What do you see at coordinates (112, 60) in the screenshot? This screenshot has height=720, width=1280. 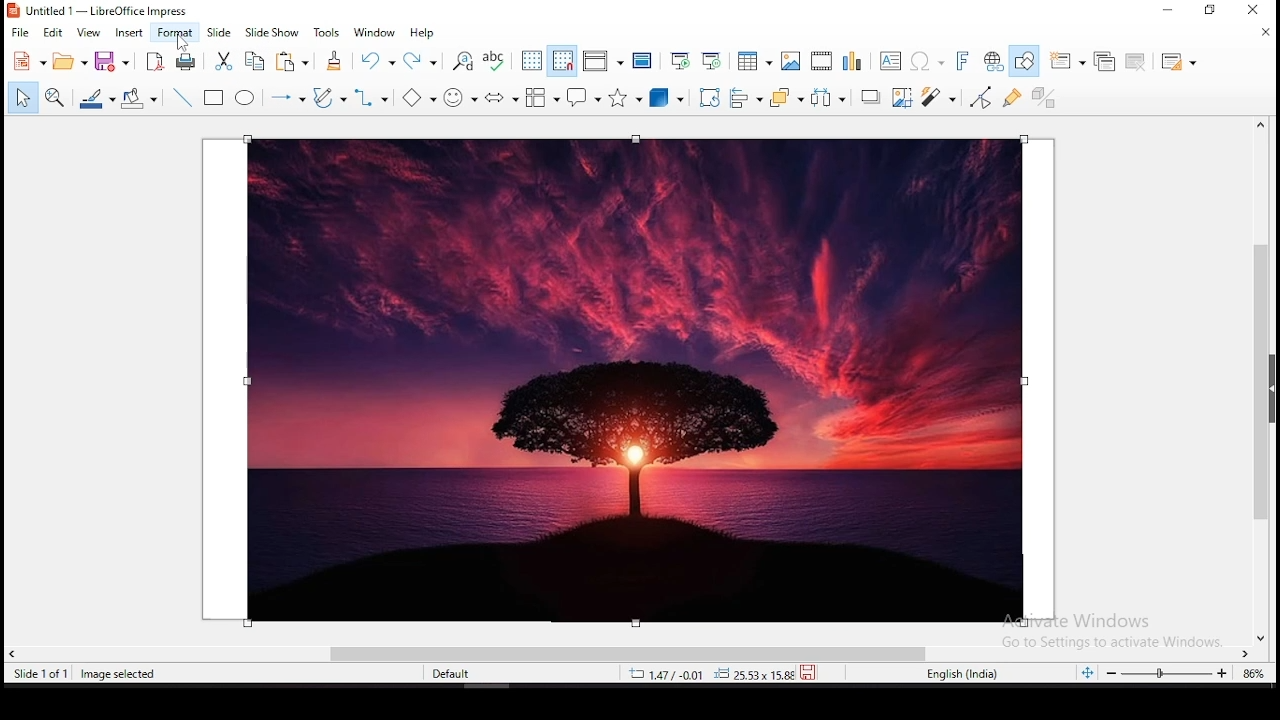 I see `save` at bounding box center [112, 60].